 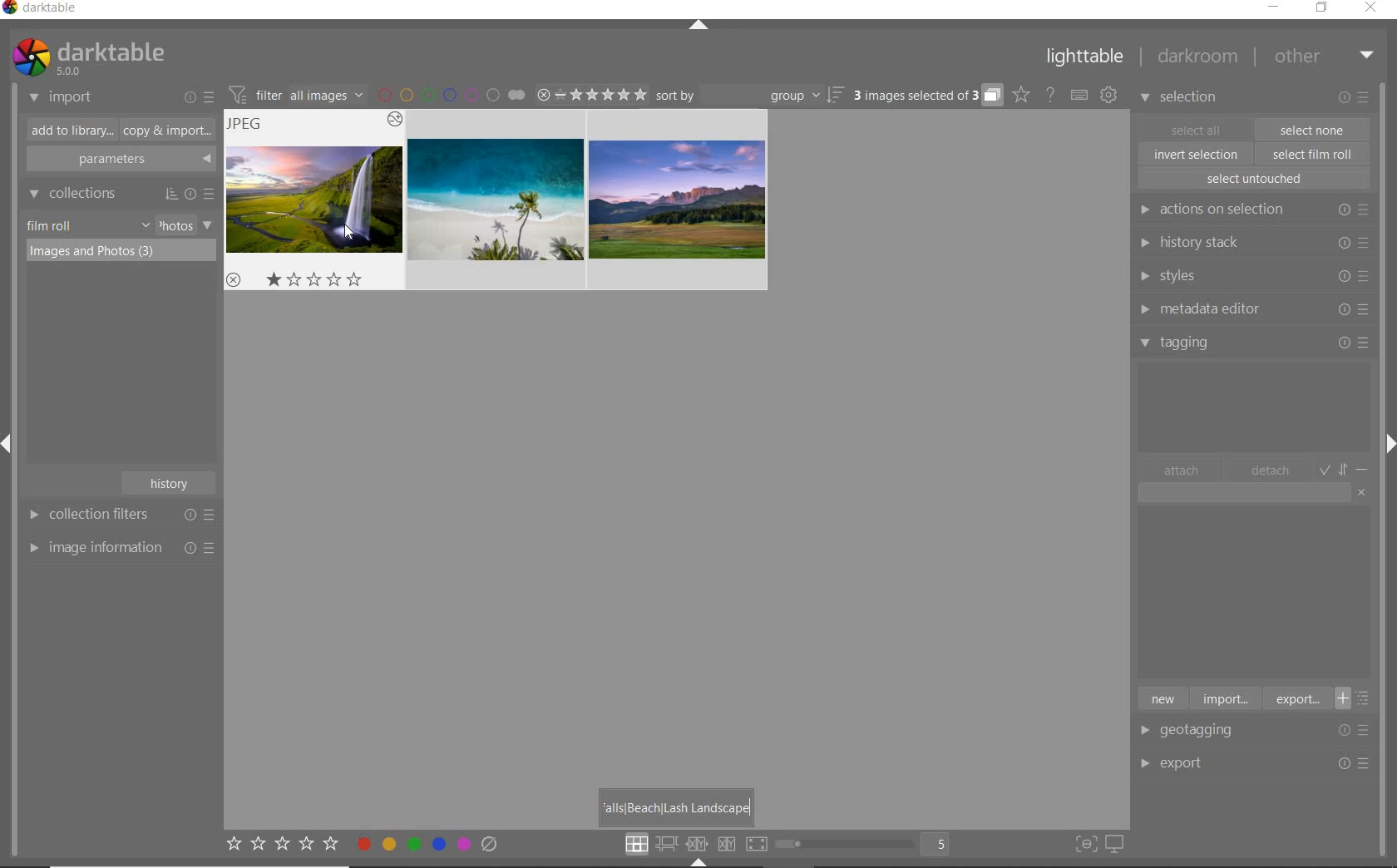 What do you see at coordinates (1197, 154) in the screenshot?
I see `invert selection` at bounding box center [1197, 154].